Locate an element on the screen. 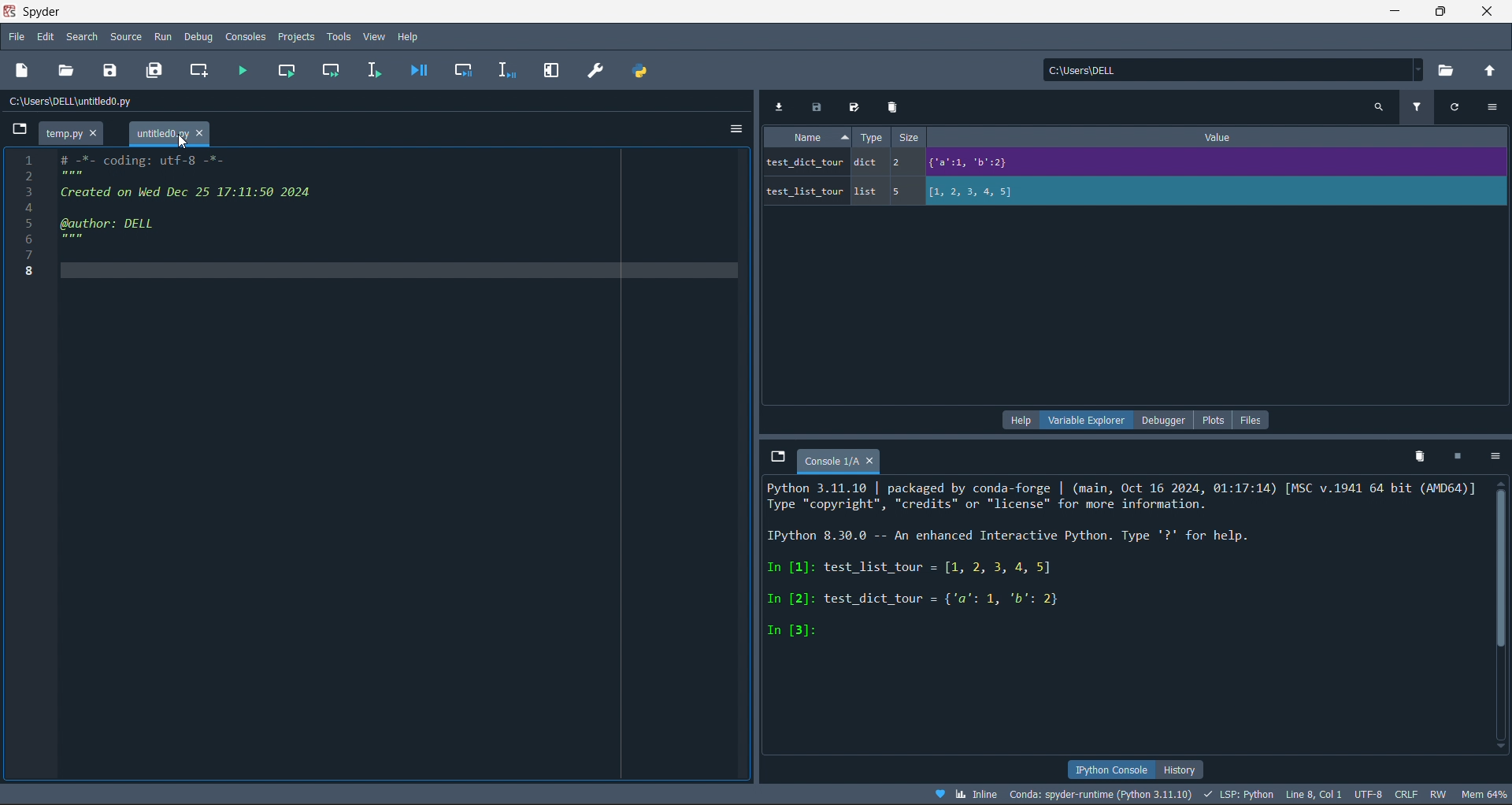 This screenshot has width=1512, height=805. RW is located at coordinates (1440, 795).